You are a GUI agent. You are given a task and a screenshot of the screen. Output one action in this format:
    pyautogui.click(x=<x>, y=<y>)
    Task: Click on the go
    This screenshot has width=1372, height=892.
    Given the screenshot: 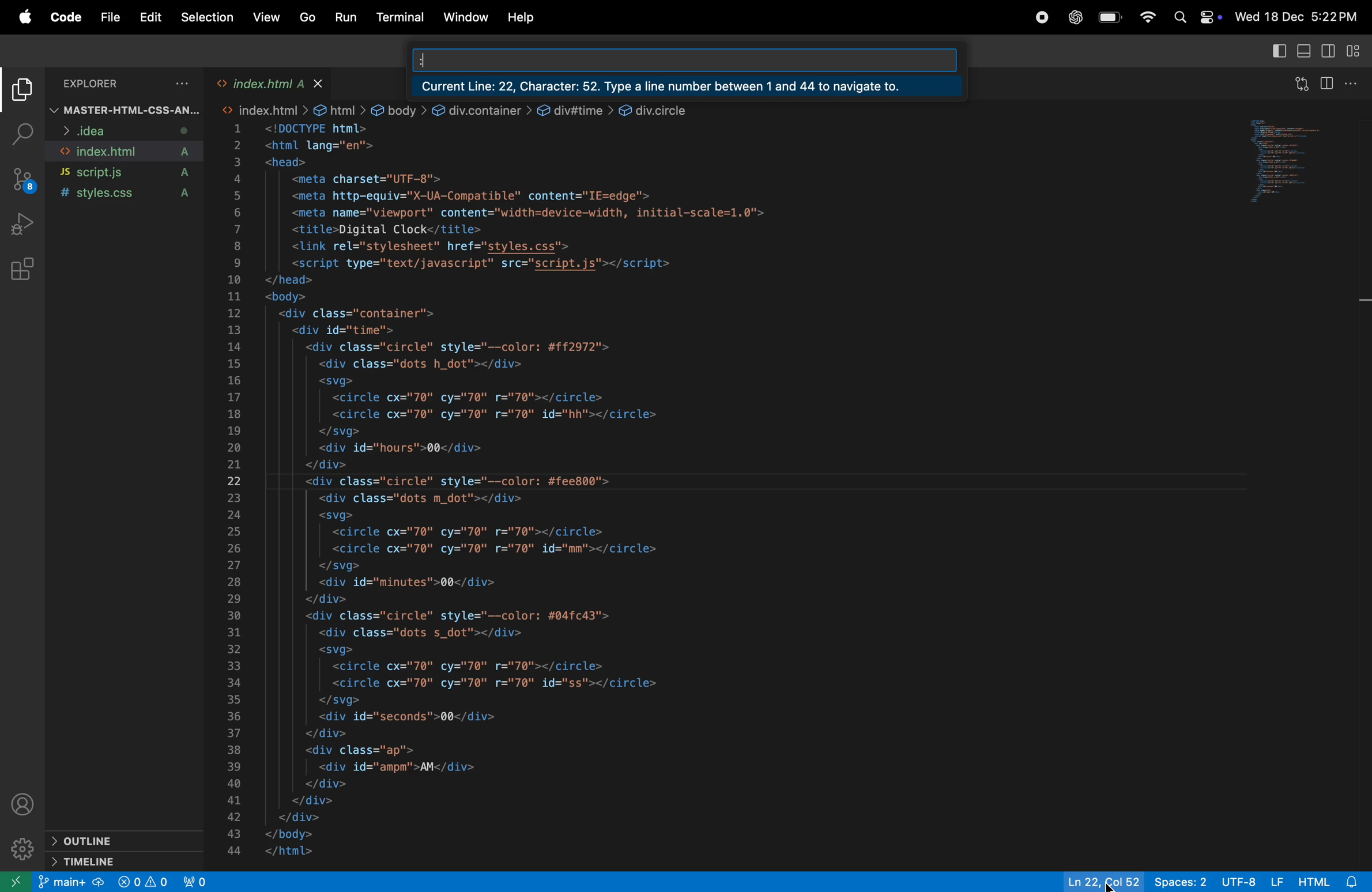 What is the action you would take?
    pyautogui.click(x=309, y=18)
    